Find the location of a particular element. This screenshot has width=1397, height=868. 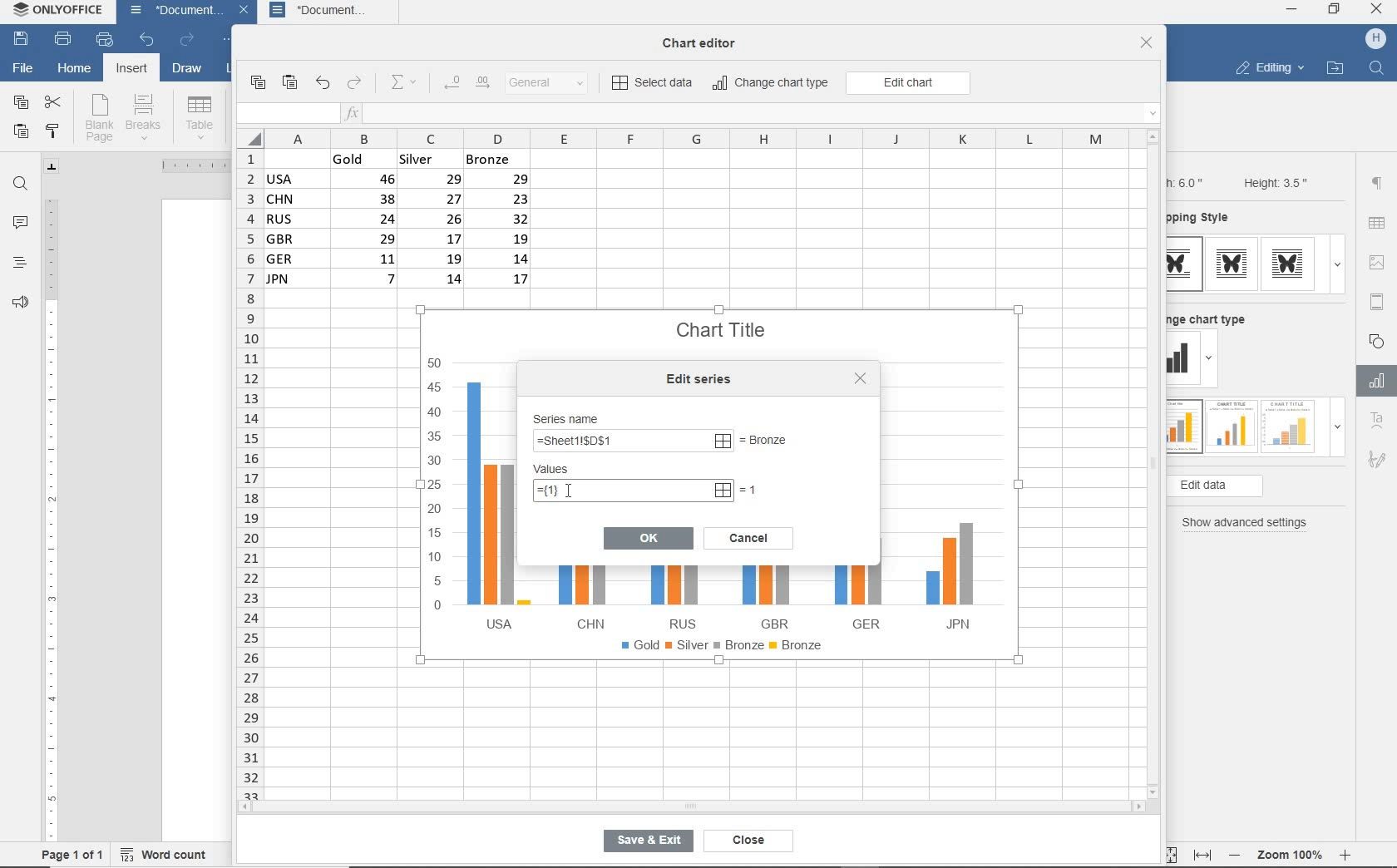

system name is located at coordinates (61, 13).